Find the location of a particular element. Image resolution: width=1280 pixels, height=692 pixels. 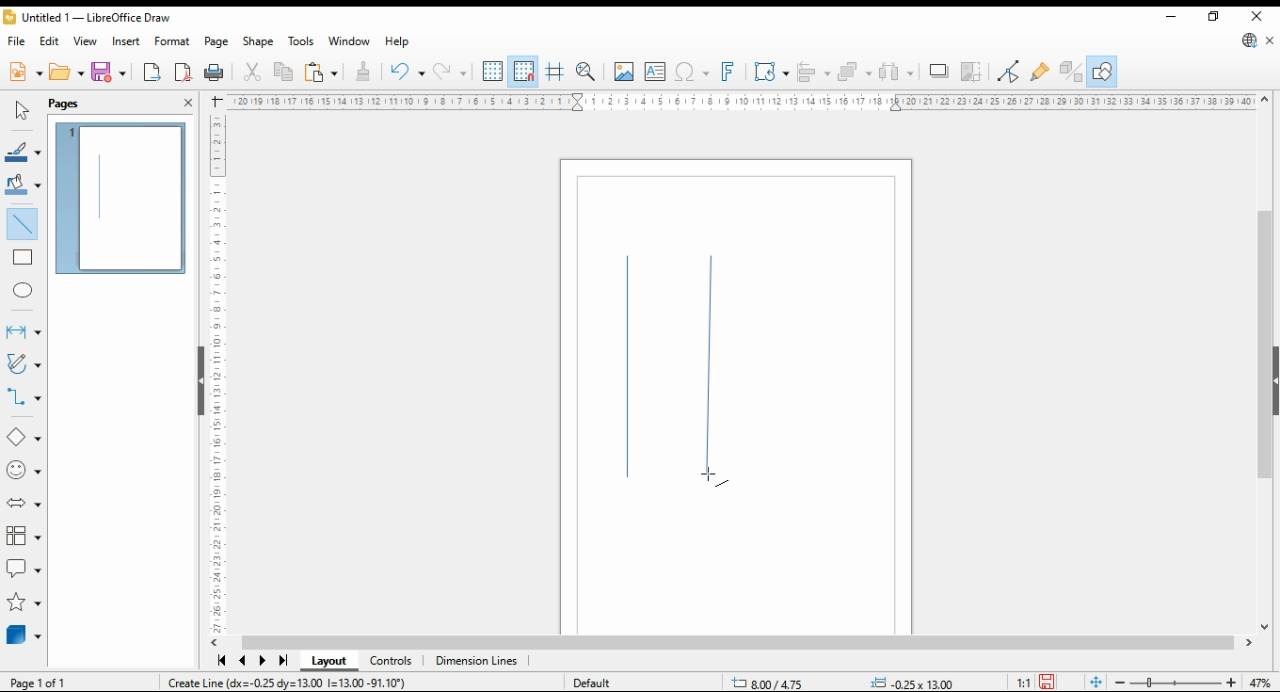

layout is located at coordinates (328, 662).